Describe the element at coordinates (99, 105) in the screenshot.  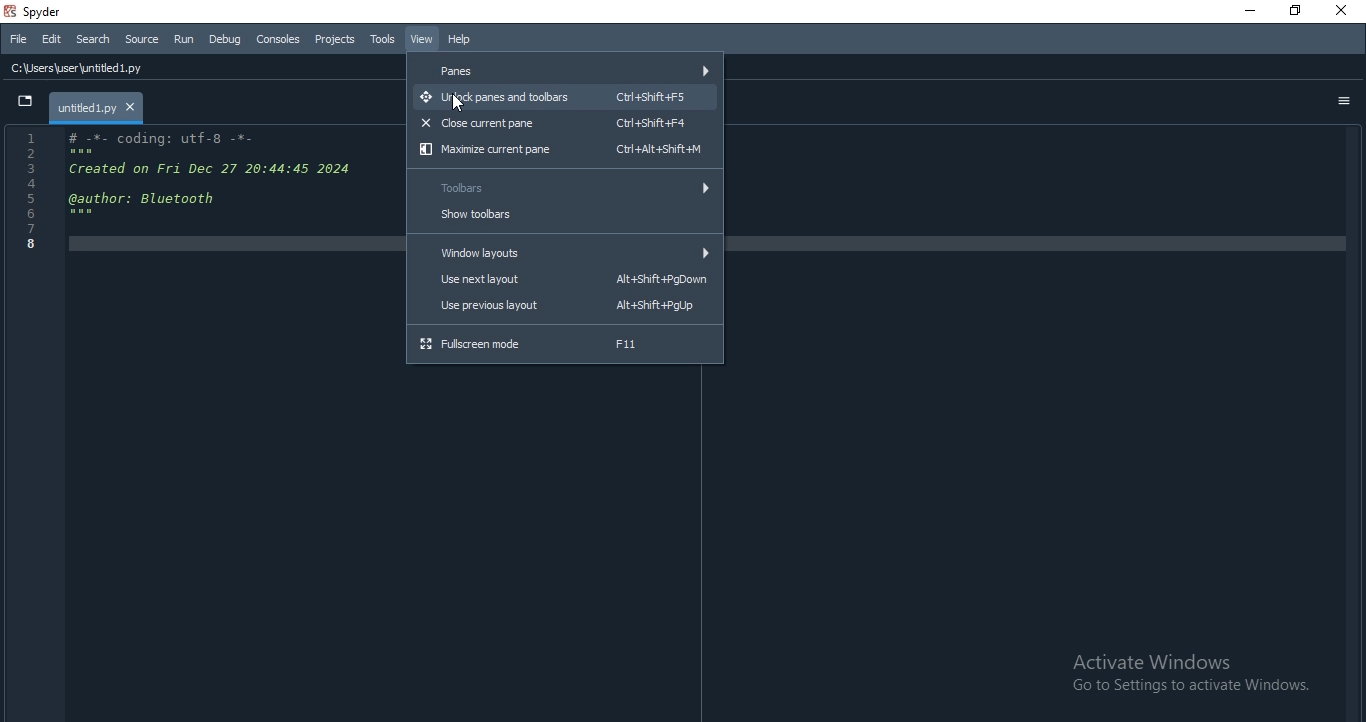
I see `untitled.py` at that location.